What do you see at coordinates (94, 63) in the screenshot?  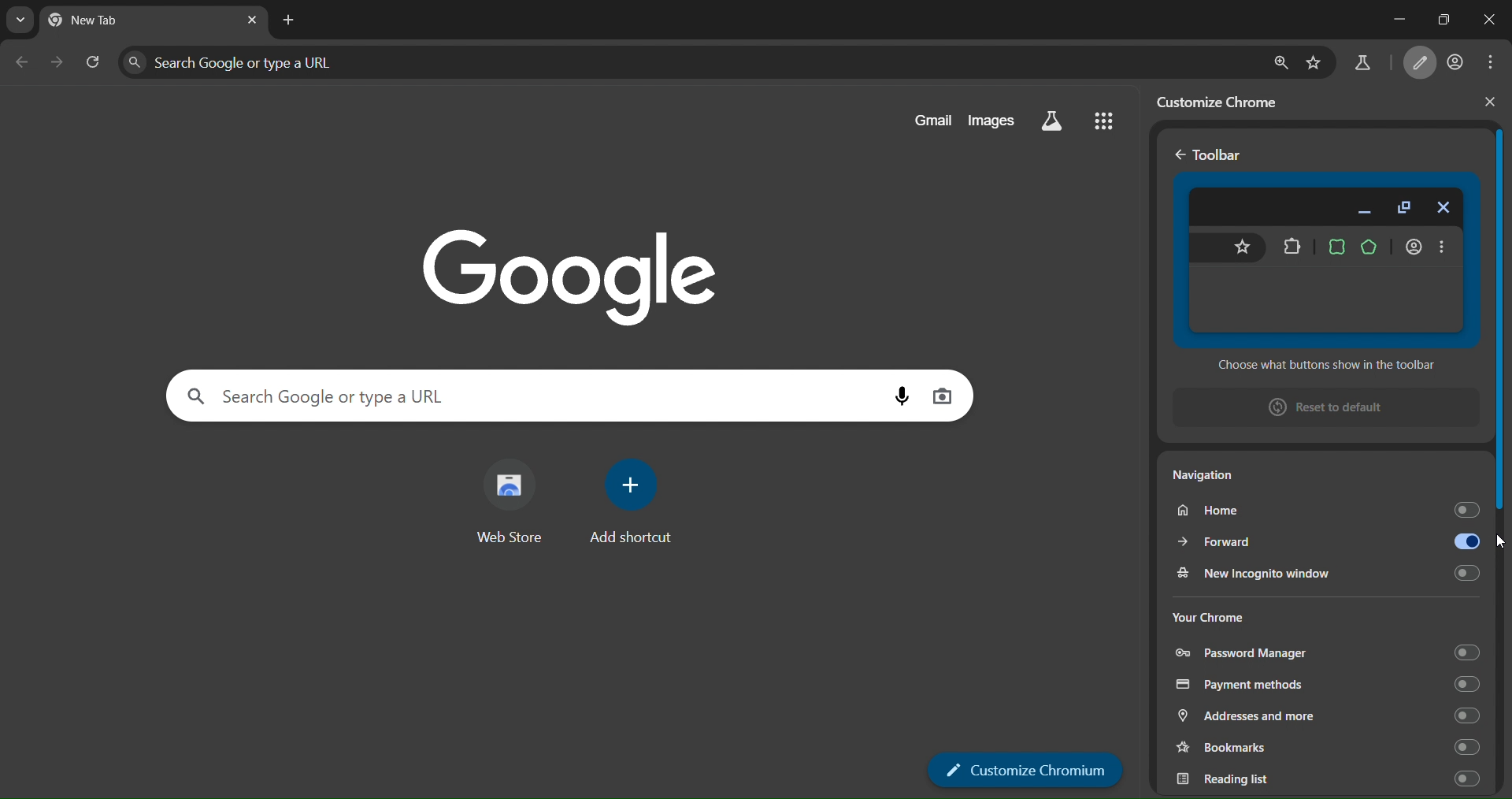 I see `reload page` at bounding box center [94, 63].